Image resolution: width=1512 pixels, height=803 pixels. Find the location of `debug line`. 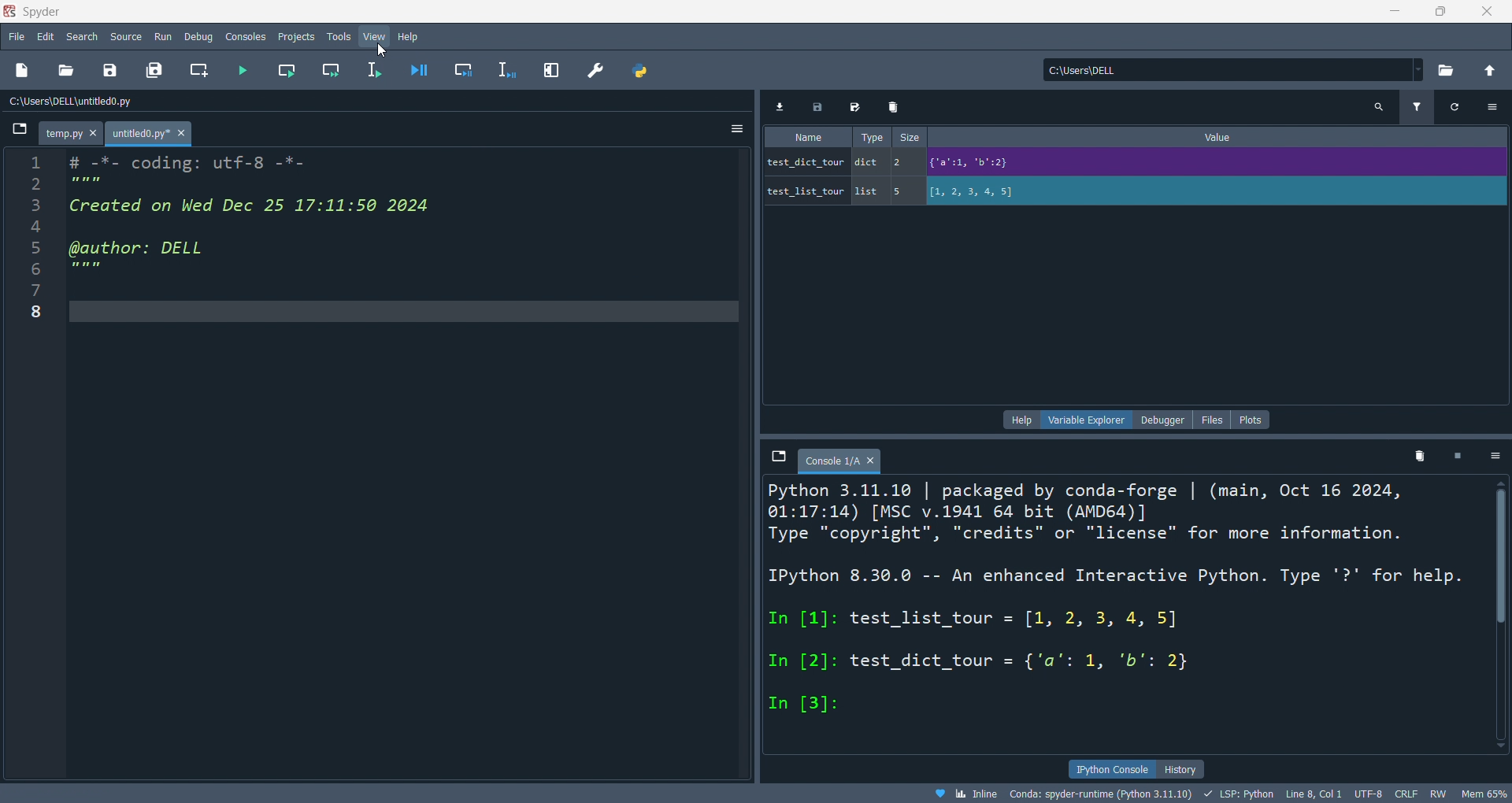

debug line is located at coordinates (507, 69).